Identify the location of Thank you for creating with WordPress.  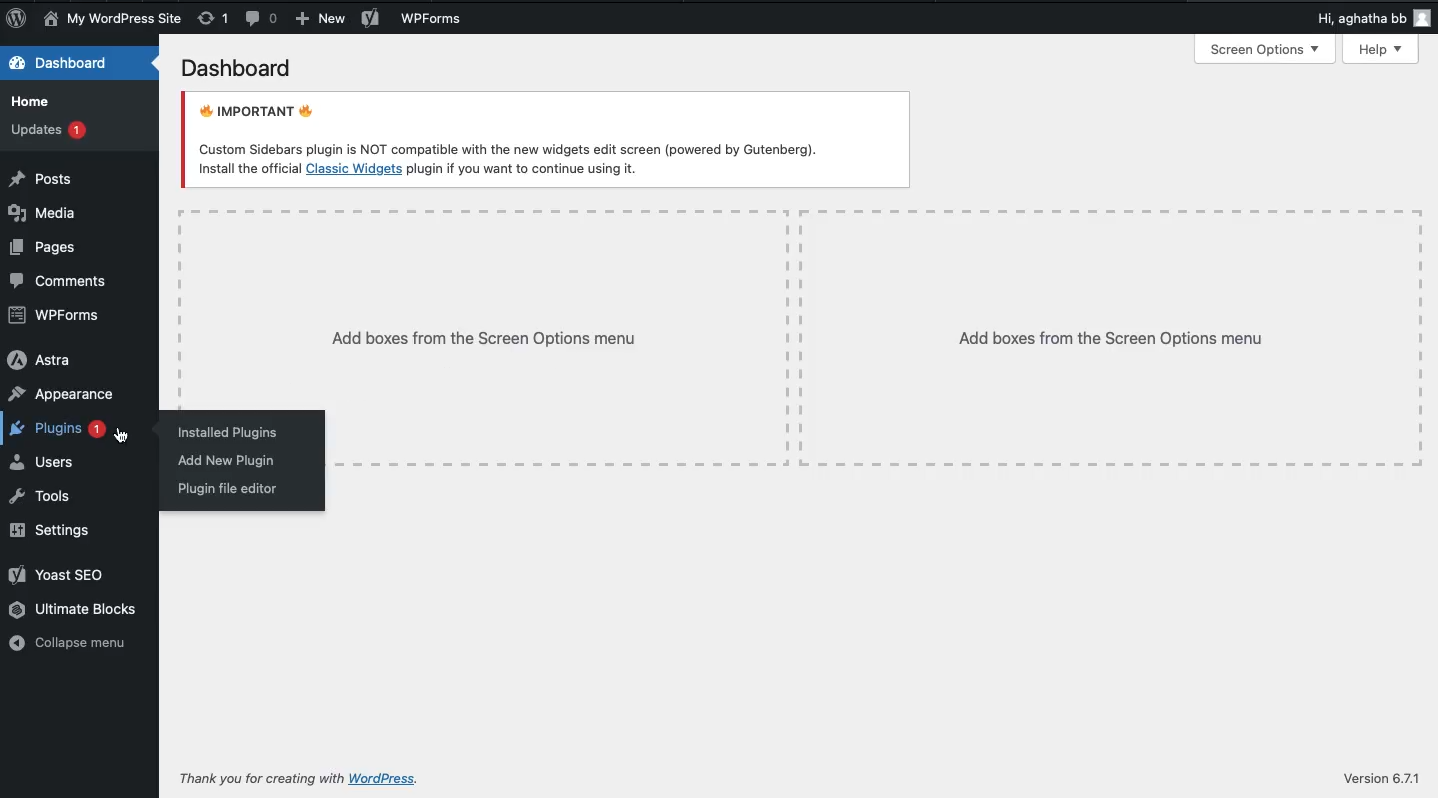
(262, 776).